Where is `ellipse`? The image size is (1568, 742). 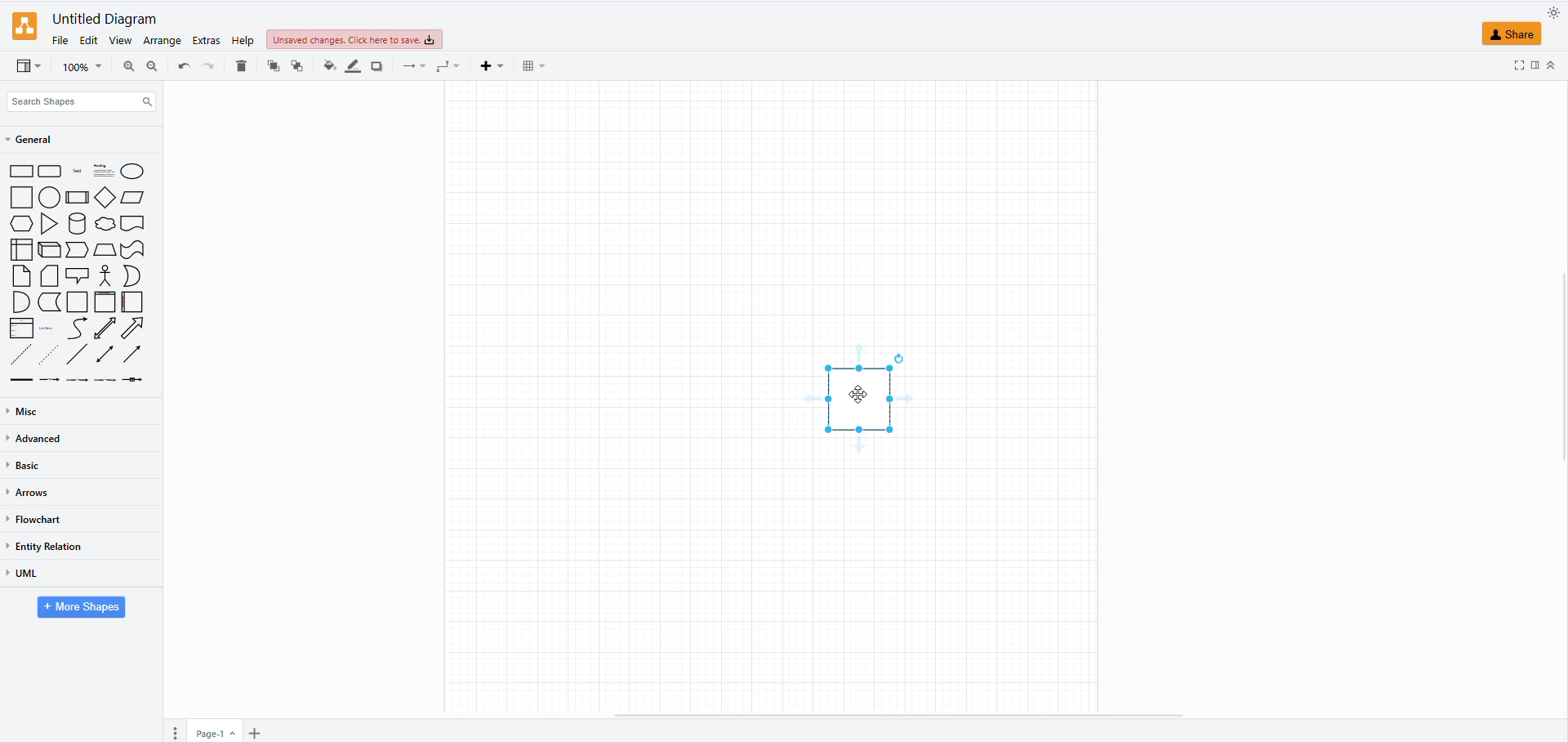
ellipse is located at coordinates (131, 171).